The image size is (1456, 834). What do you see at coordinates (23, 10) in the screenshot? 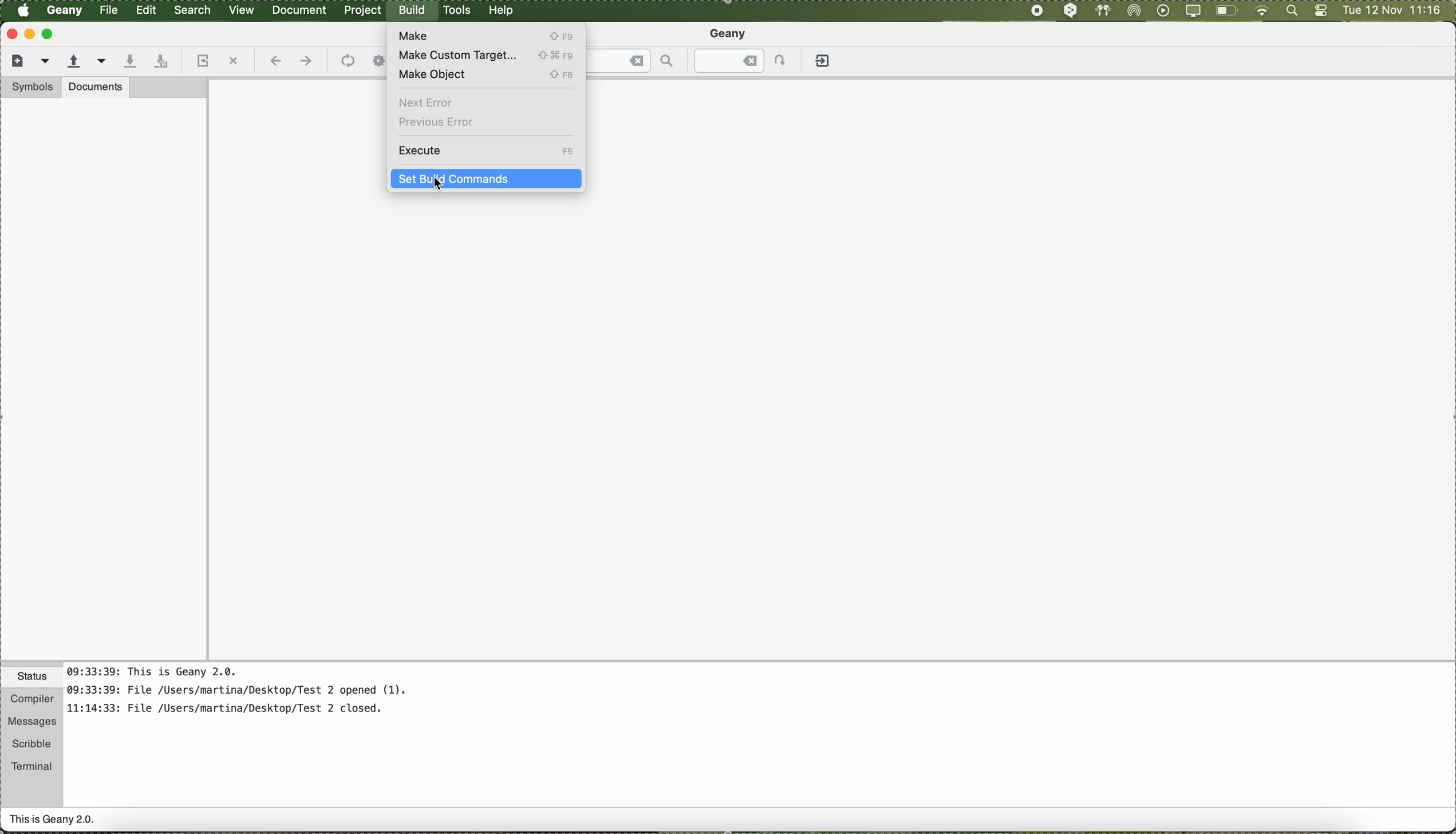
I see `Apple icon` at bounding box center [23, 10].